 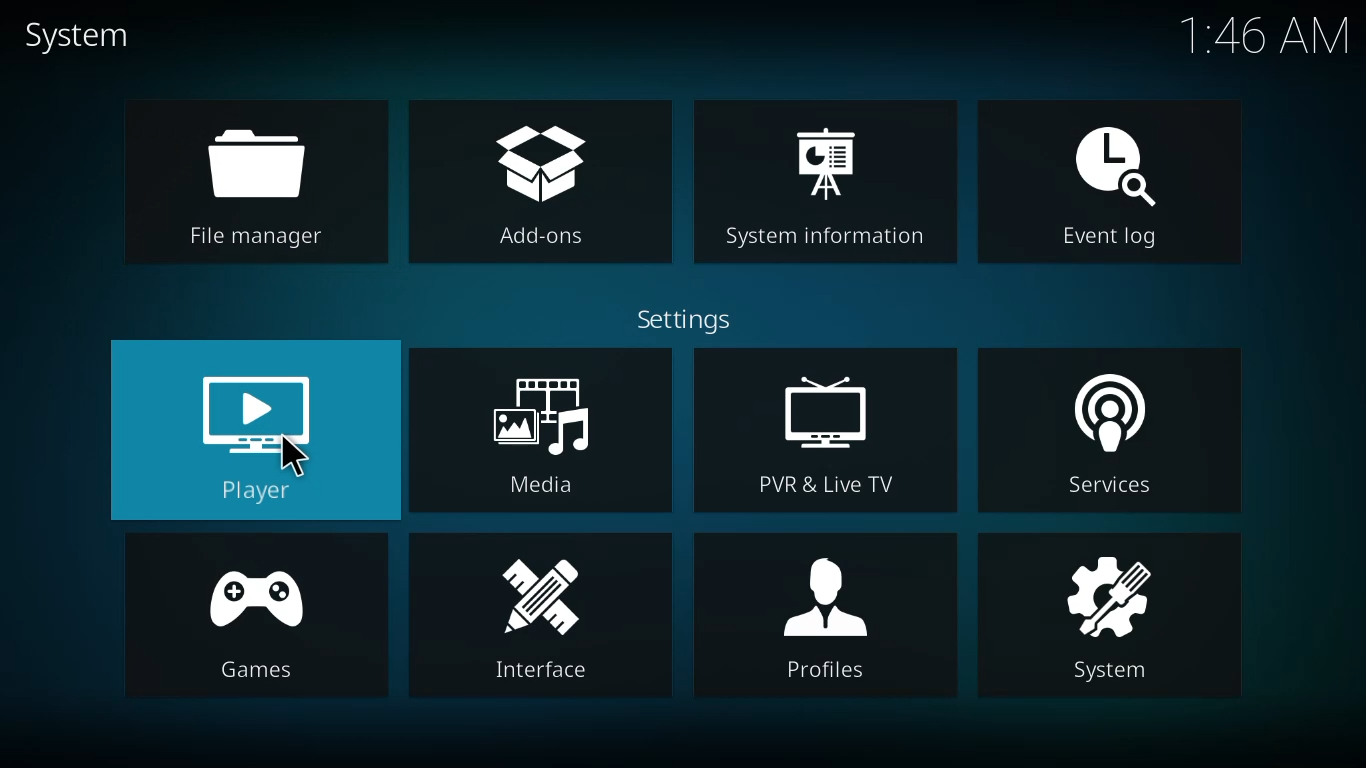 What do you see at coordinates (543, 191) in the screenshot?
I see `add-ons` at bounding box center [543, 191].